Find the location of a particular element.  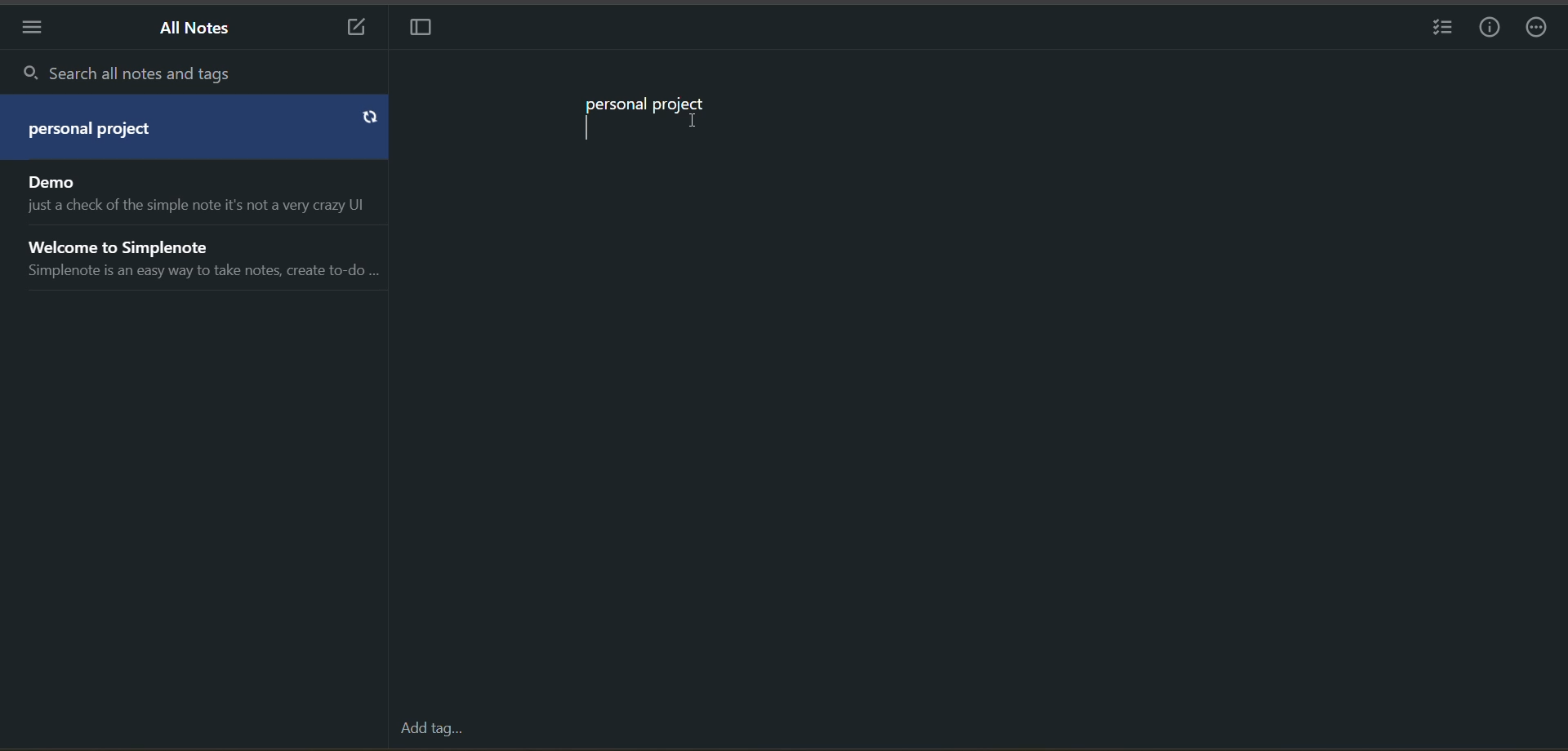

menu is located at coordinates (30, 31).